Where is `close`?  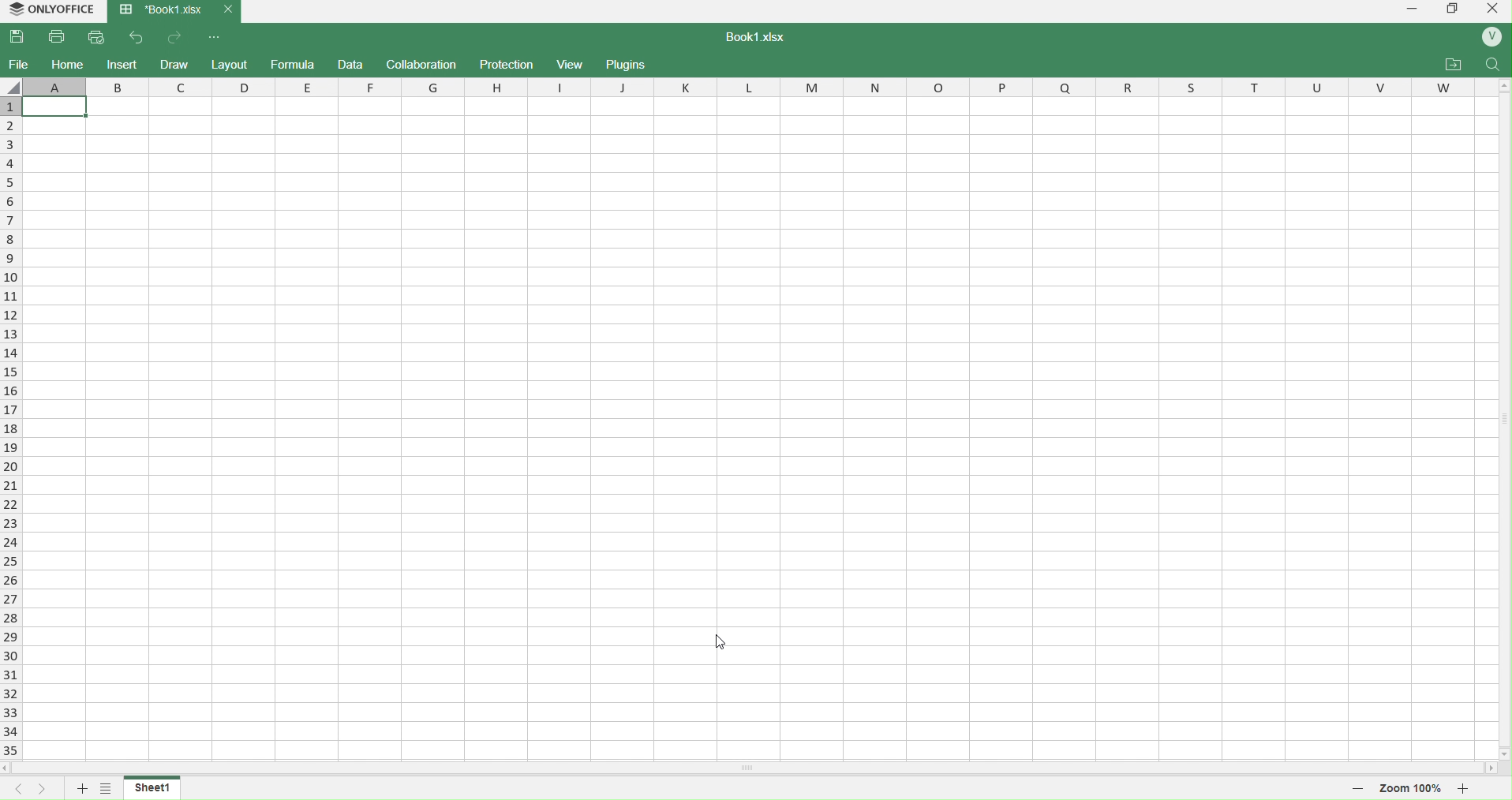
close is located at coordinates (1491, 11).